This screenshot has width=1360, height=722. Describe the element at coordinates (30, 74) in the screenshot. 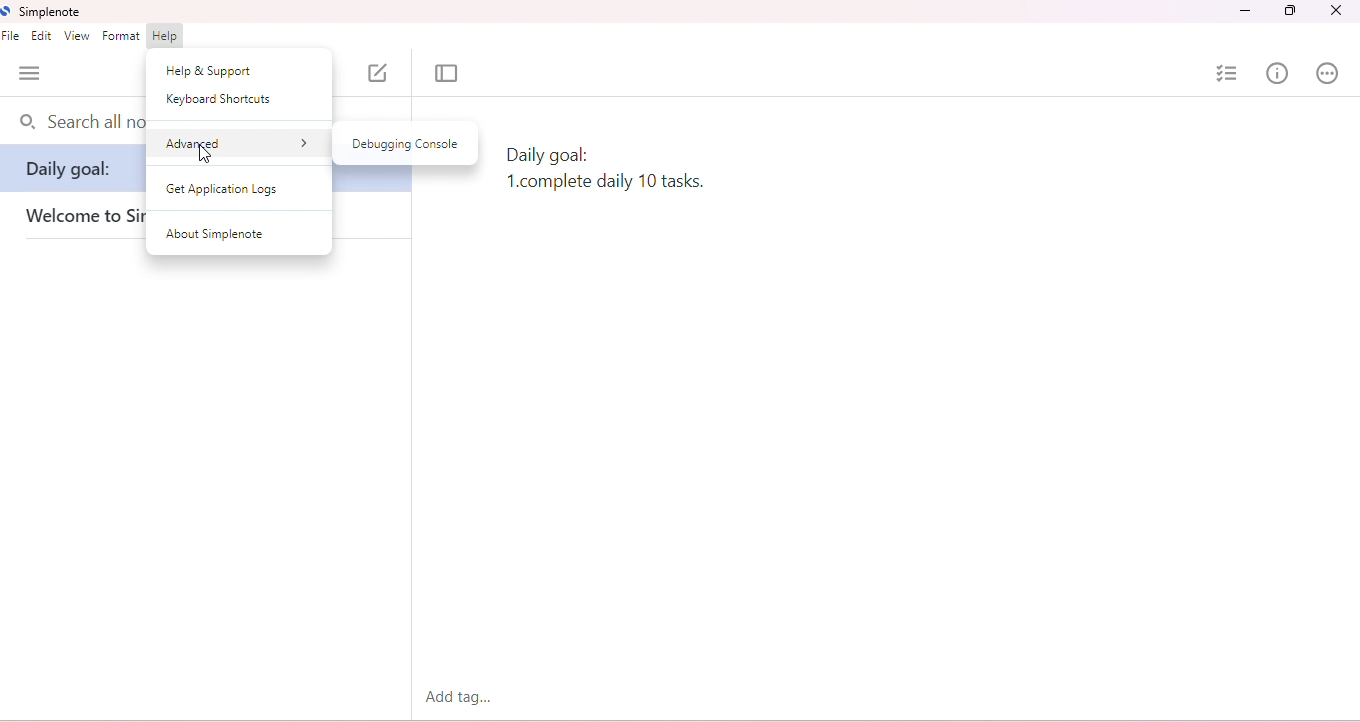

I see `menu` at that location.